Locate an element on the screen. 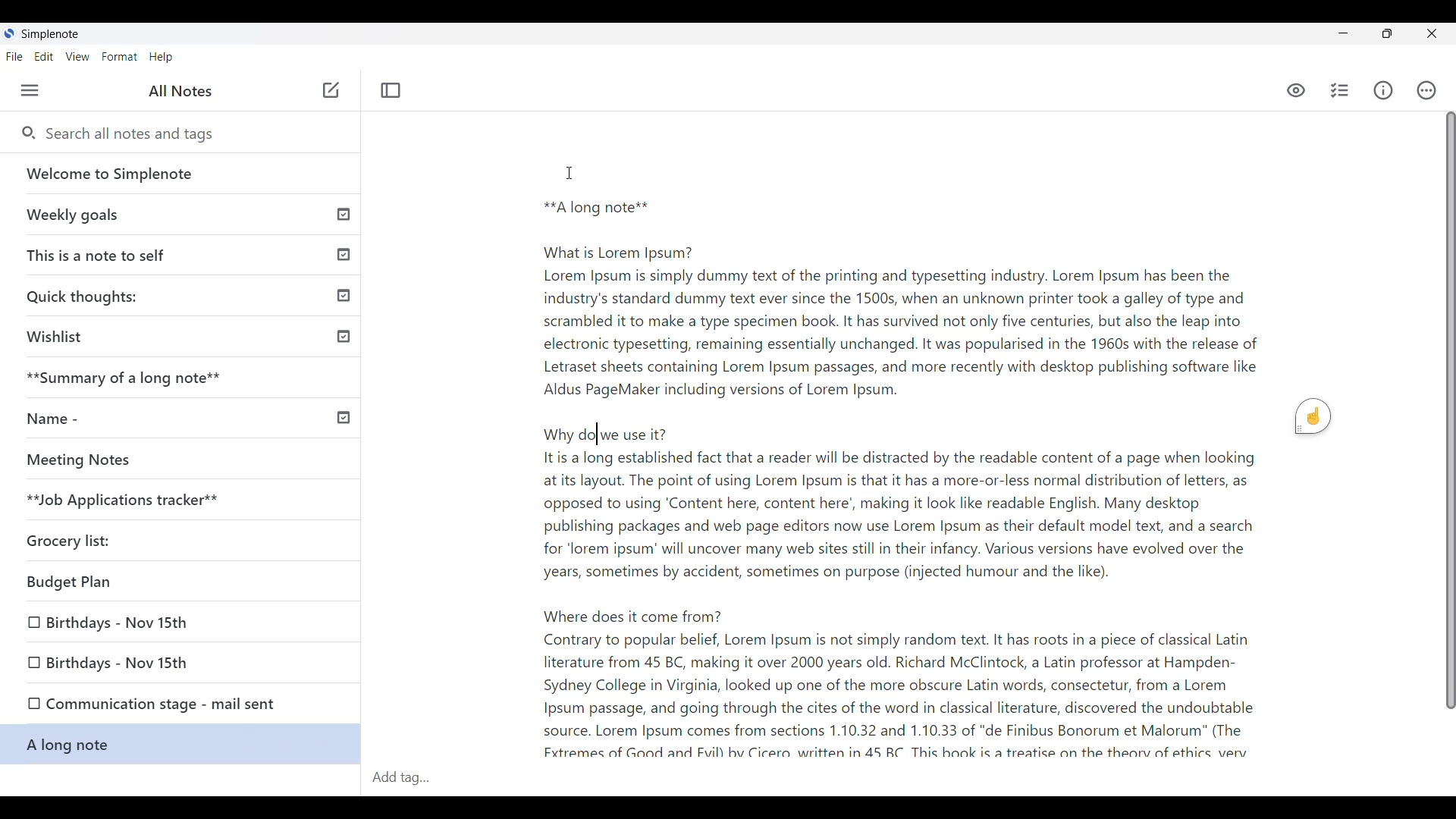 The width and height of the screenshot is (1456, 819). Welcome to Simplenote is located at coordinates (182, 174).